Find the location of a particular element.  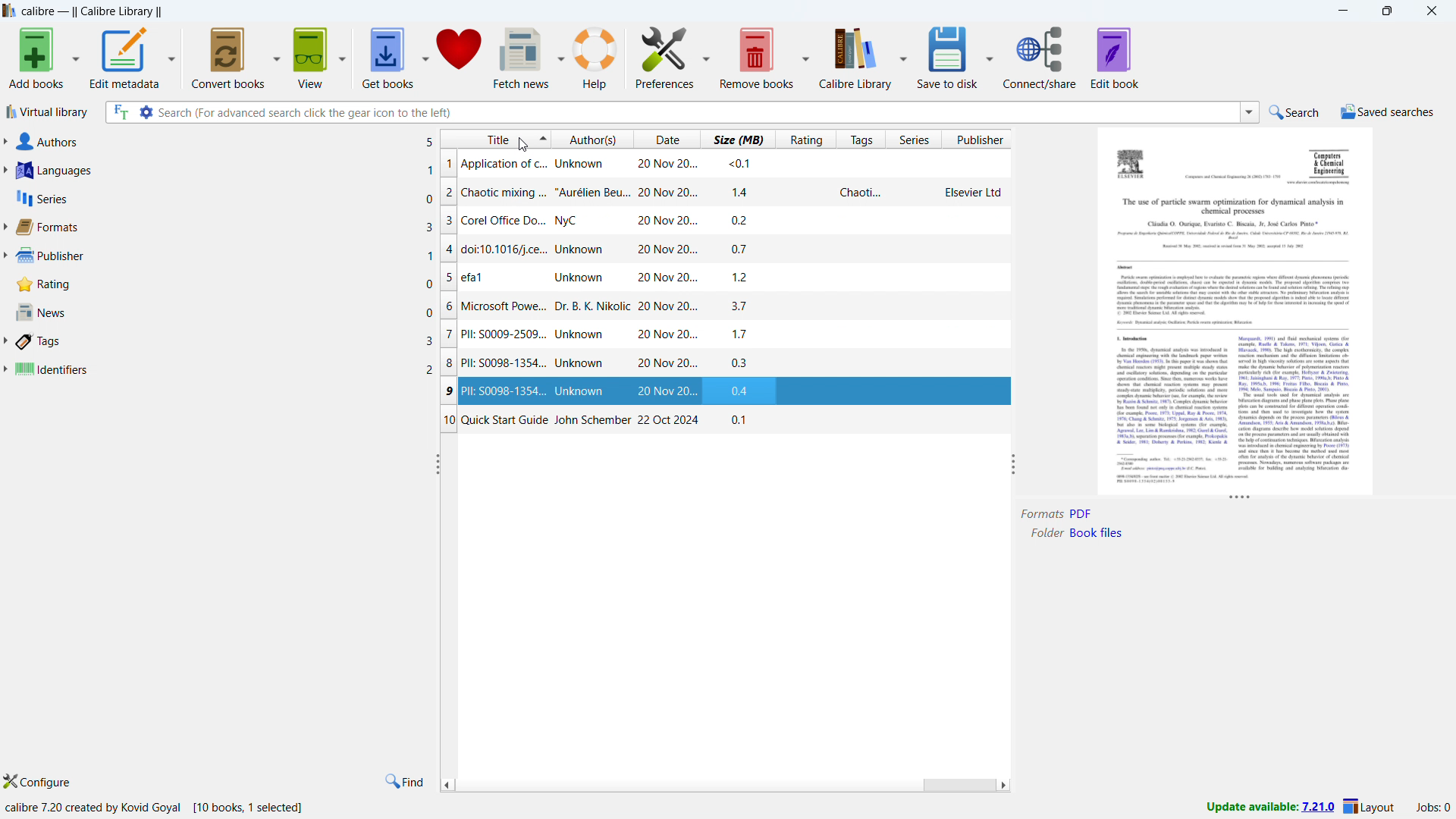

identifiers is located at coordinates (224, 370).